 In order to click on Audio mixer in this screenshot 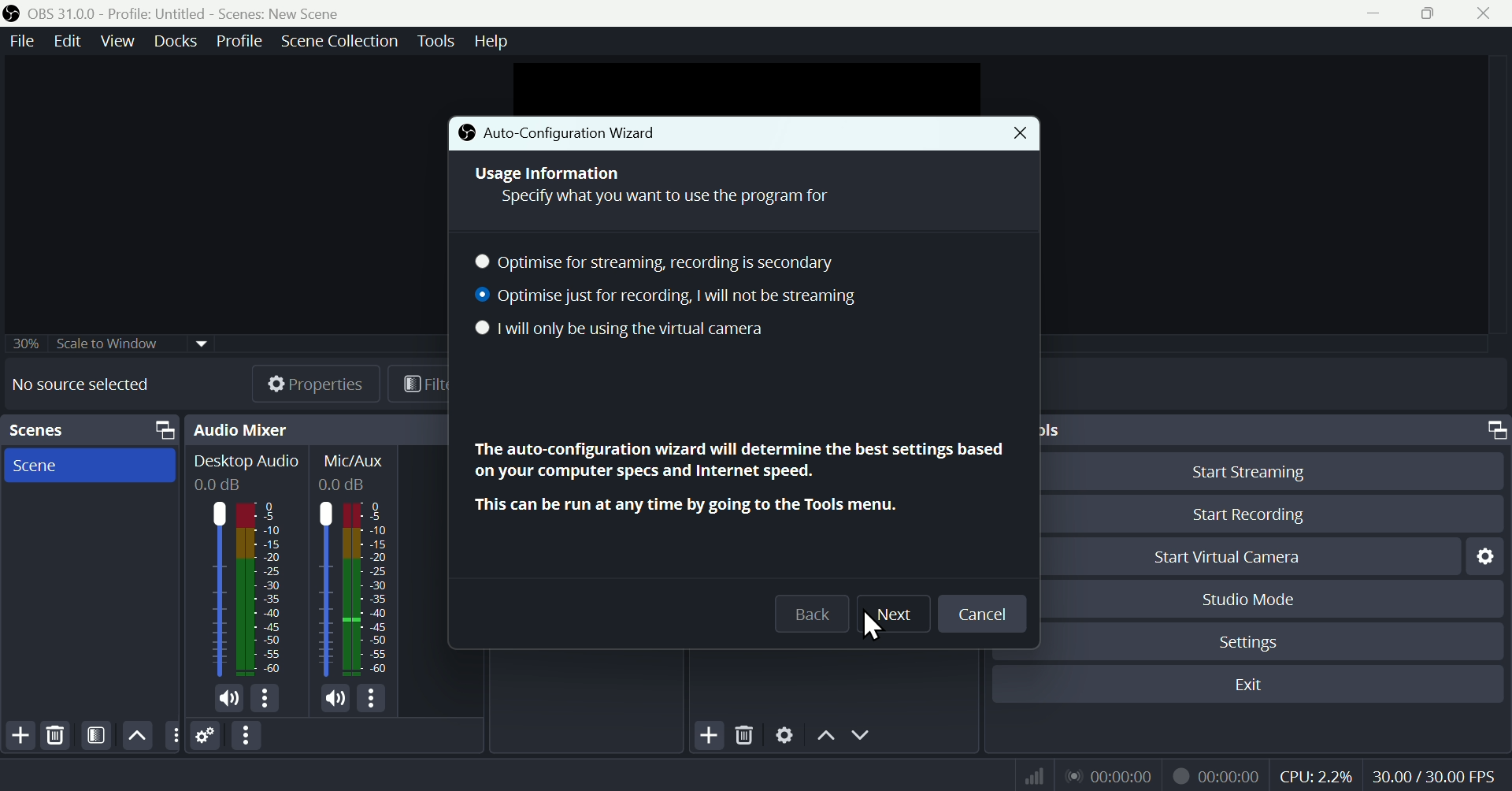, I will do `click(246, 567)`.